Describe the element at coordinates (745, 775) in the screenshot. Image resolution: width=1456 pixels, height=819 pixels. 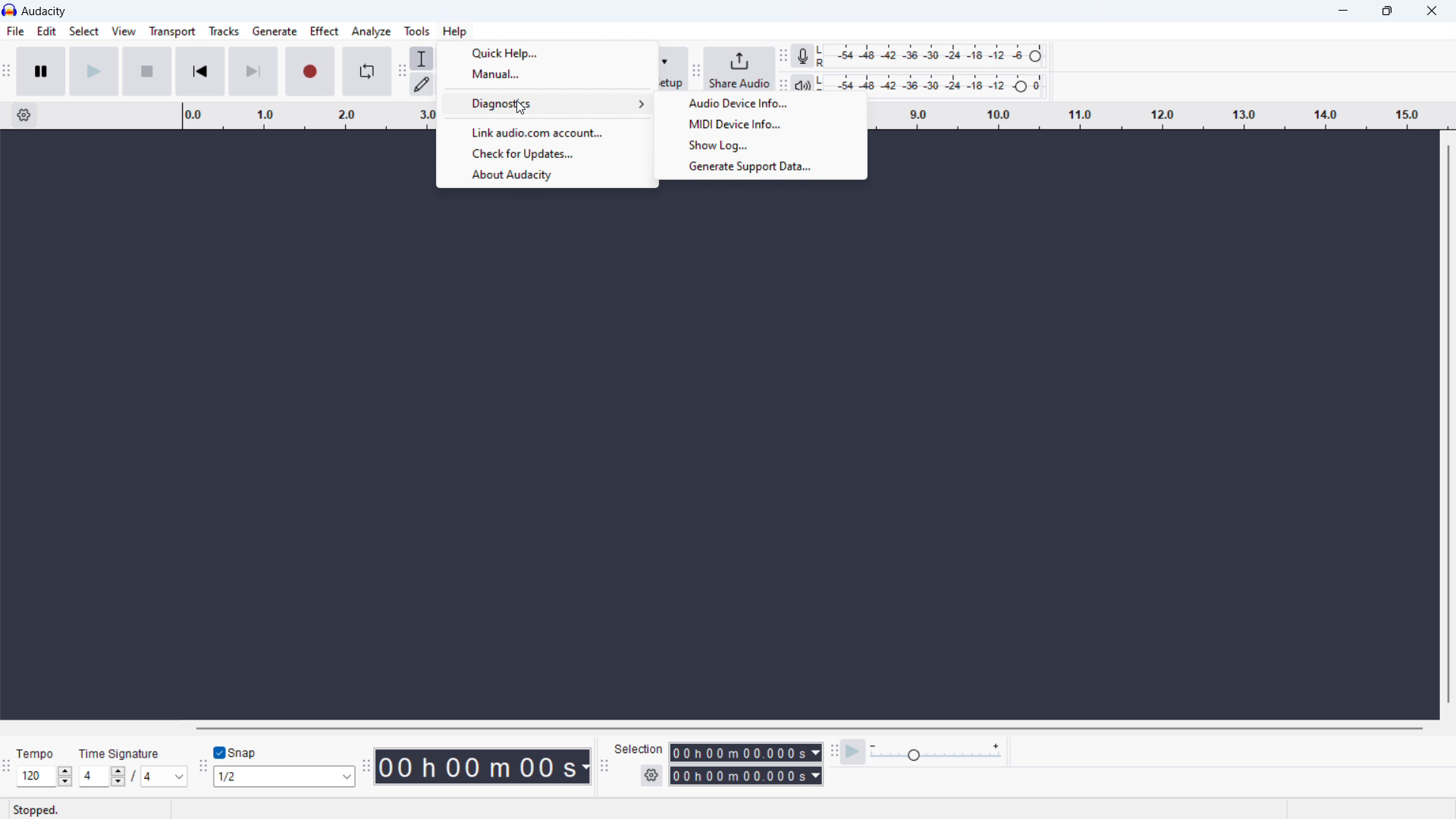
I see `end time` at that location.